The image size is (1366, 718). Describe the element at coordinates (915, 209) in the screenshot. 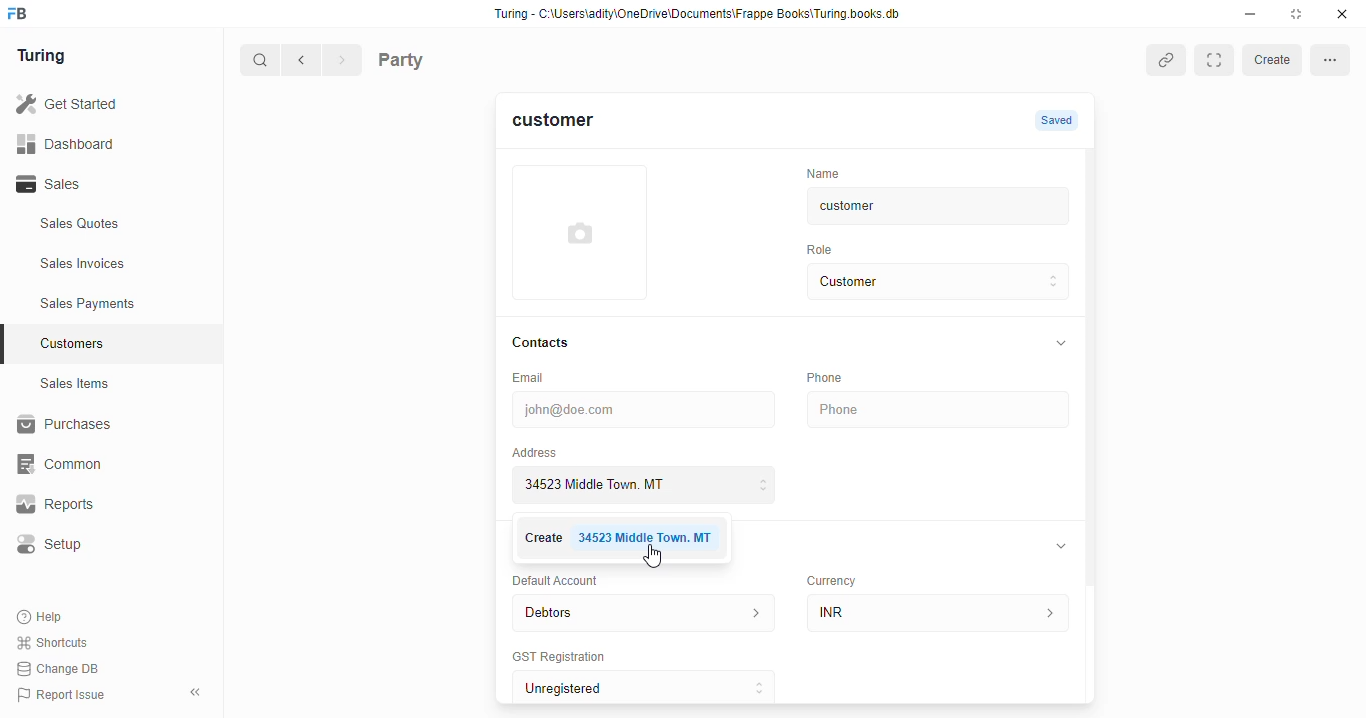

I see `customer` at that location.